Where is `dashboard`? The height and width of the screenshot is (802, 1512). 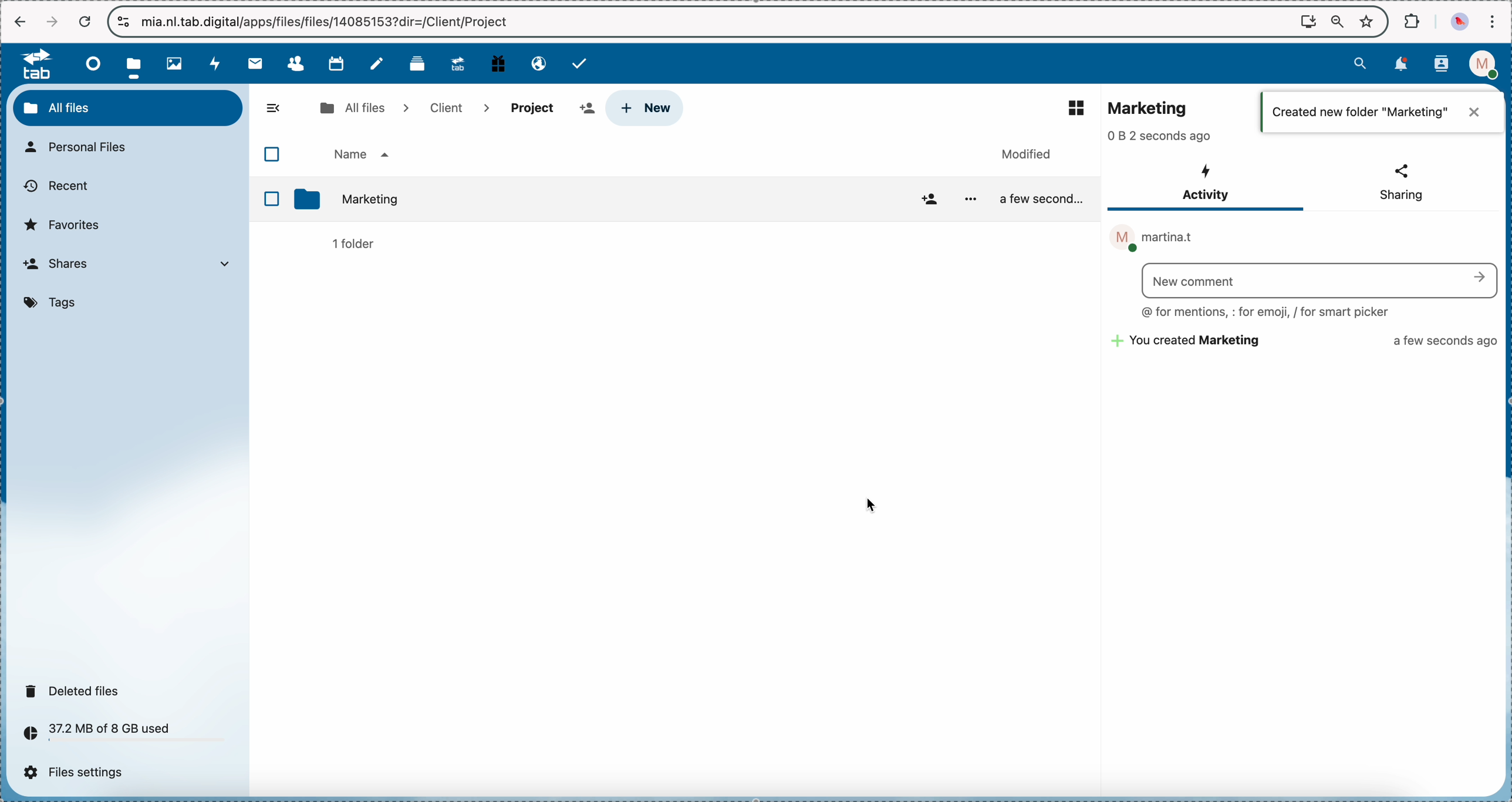
dashboard is located at coordinates (90, 63).